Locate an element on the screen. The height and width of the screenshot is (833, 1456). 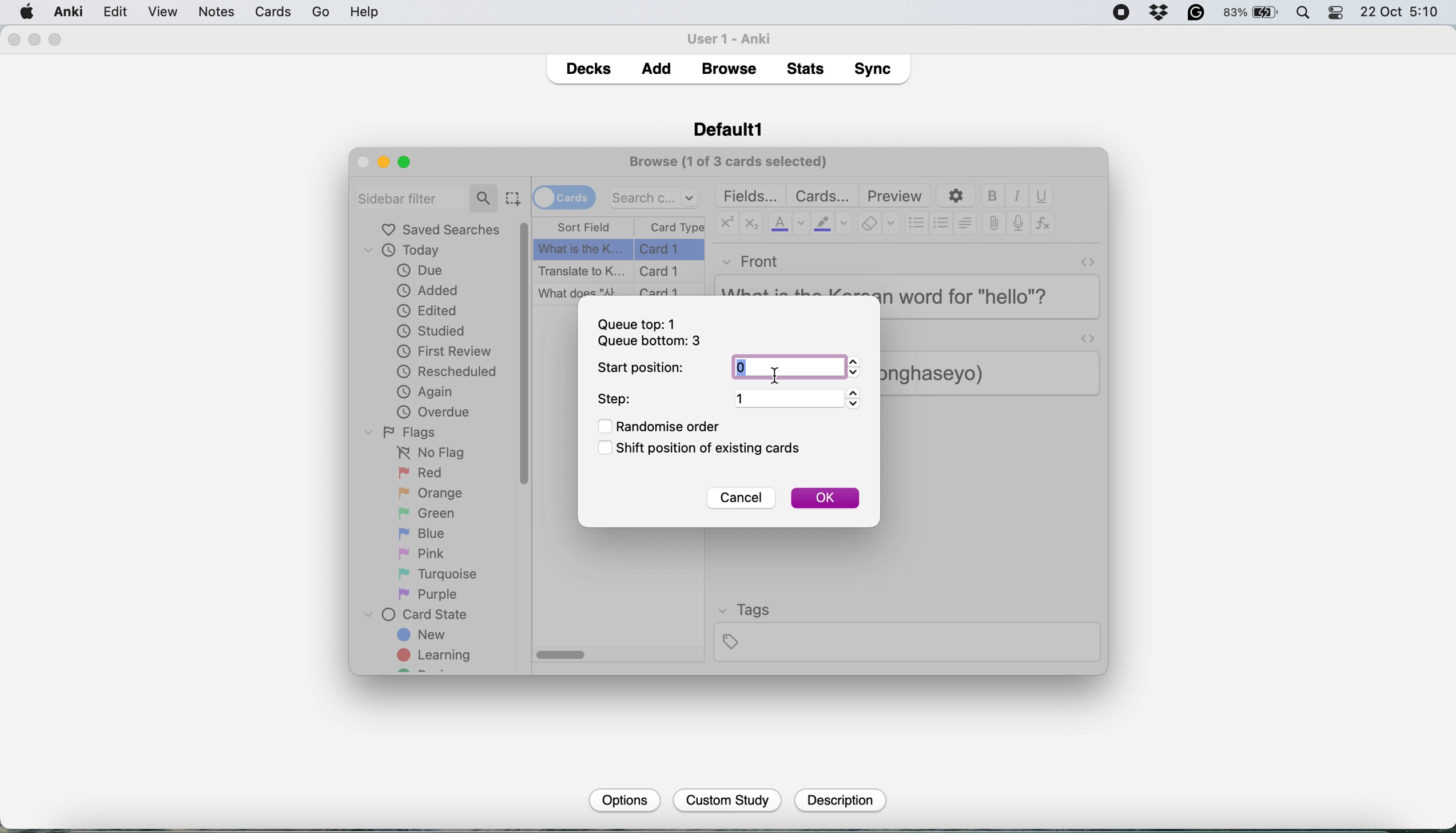
file is located at coordinates (114, 12).